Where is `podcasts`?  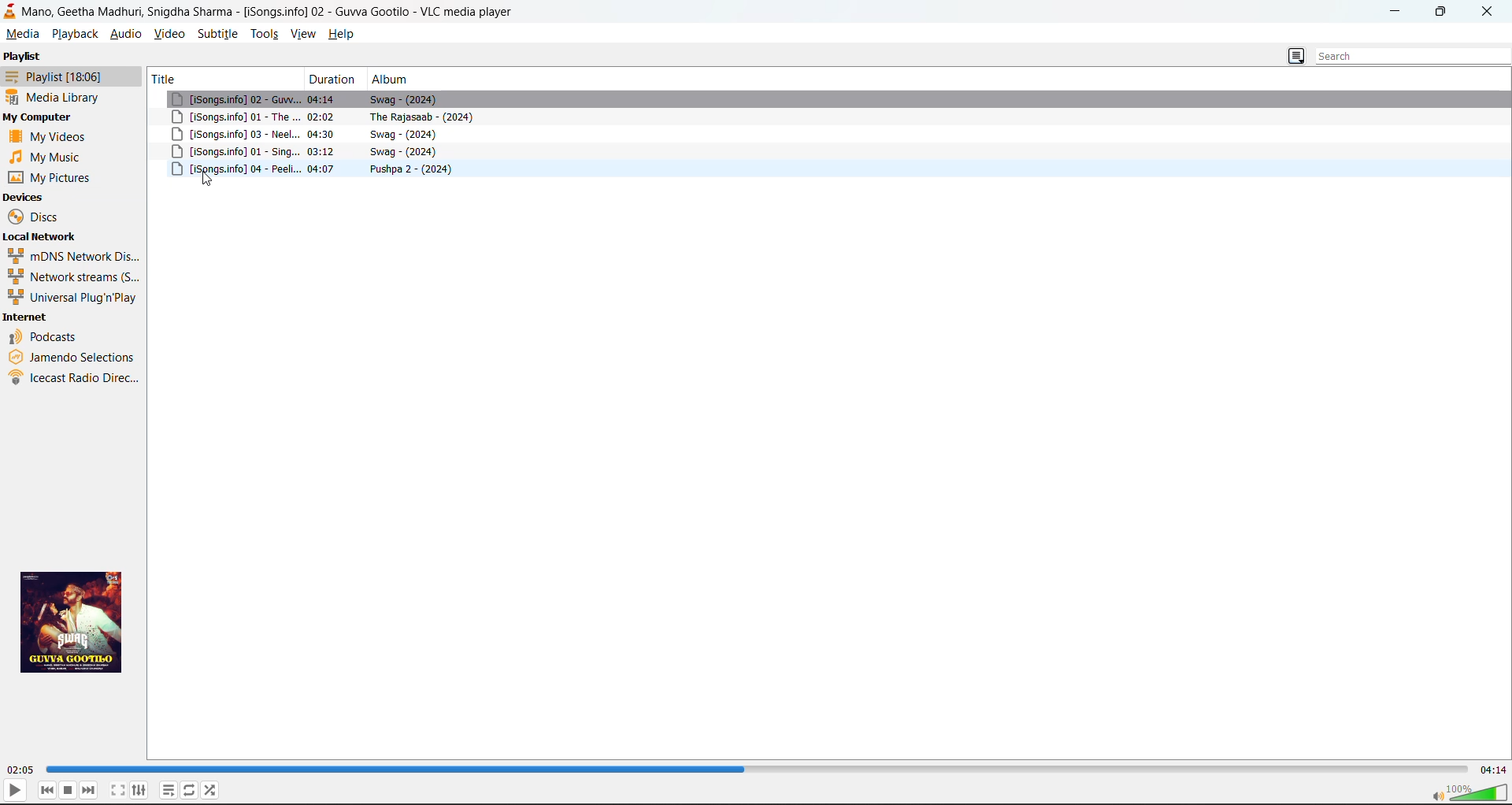 podcasts is located at coordinates (46, 336).